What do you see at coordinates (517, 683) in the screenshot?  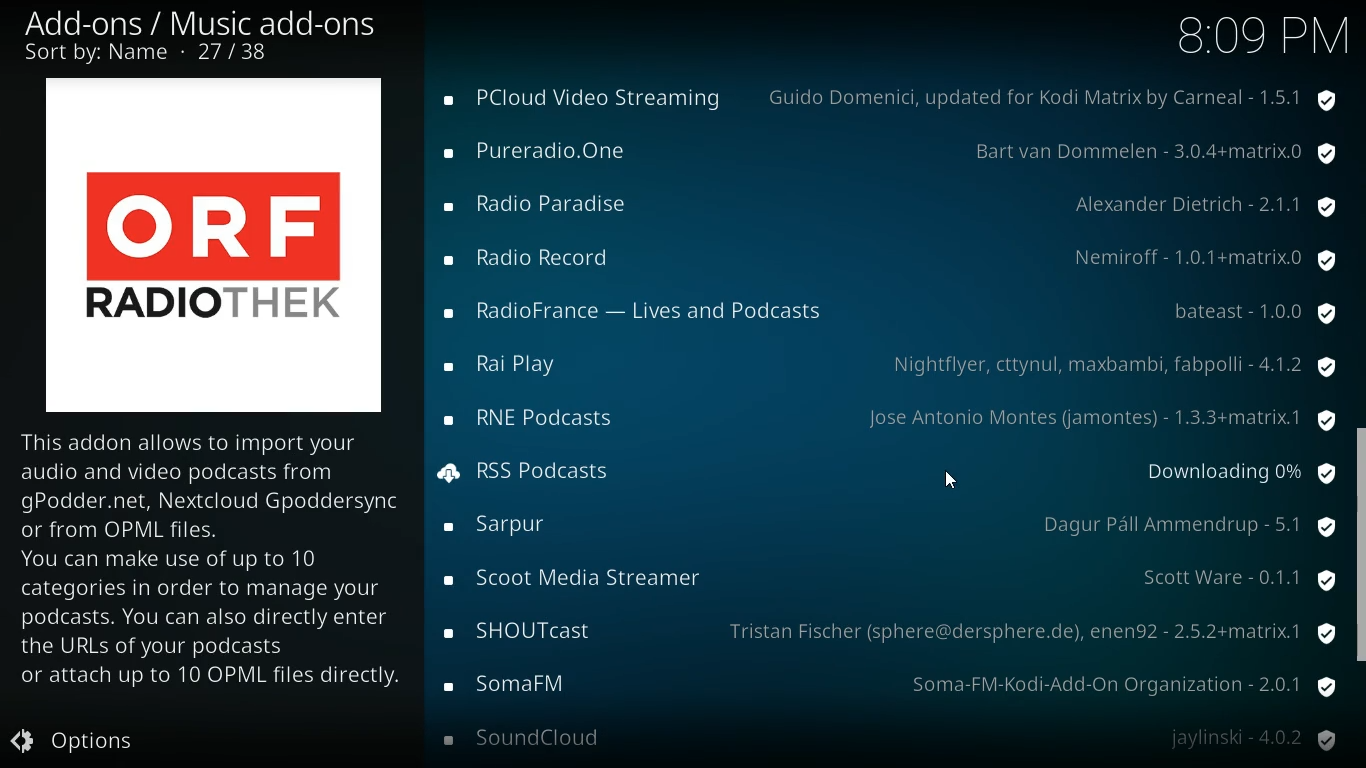 I see `SomaFM` at bounding box center [517, 683].